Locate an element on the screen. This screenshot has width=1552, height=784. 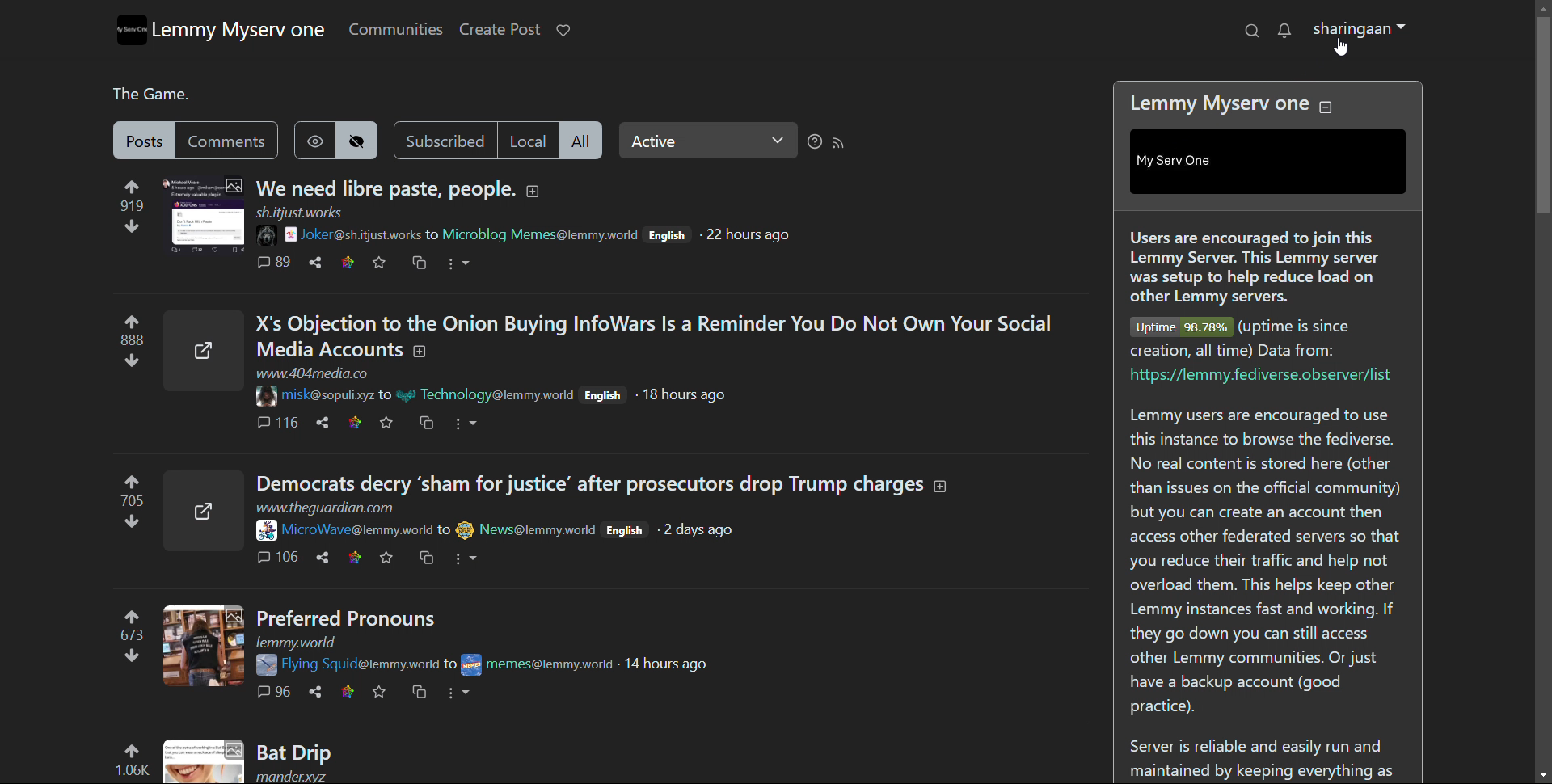
more is located at coordinates (462, 695).